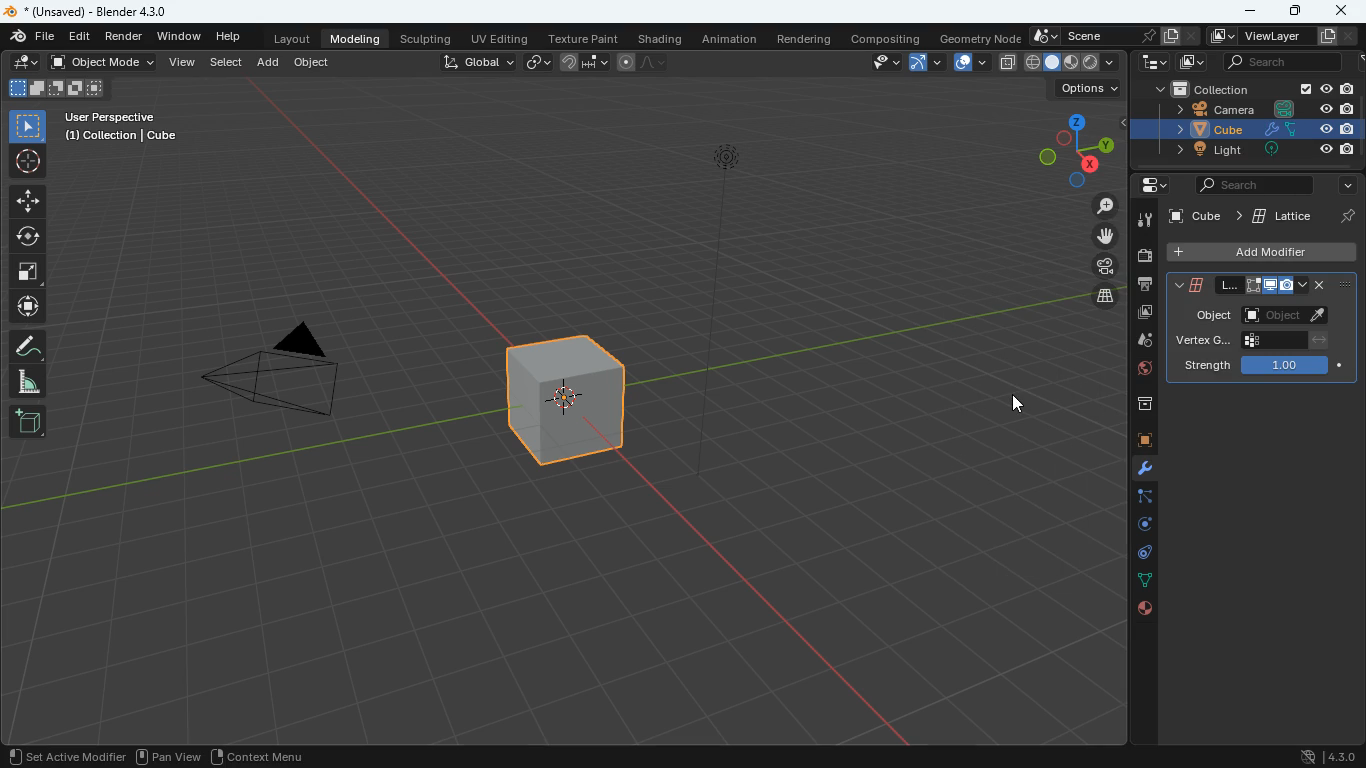 The width and height of the screenshot is (1366, 768). What do you see at coordinates (1251, 340) in the screenshot?
I see `vertex` at bounding box center [1251, 340].